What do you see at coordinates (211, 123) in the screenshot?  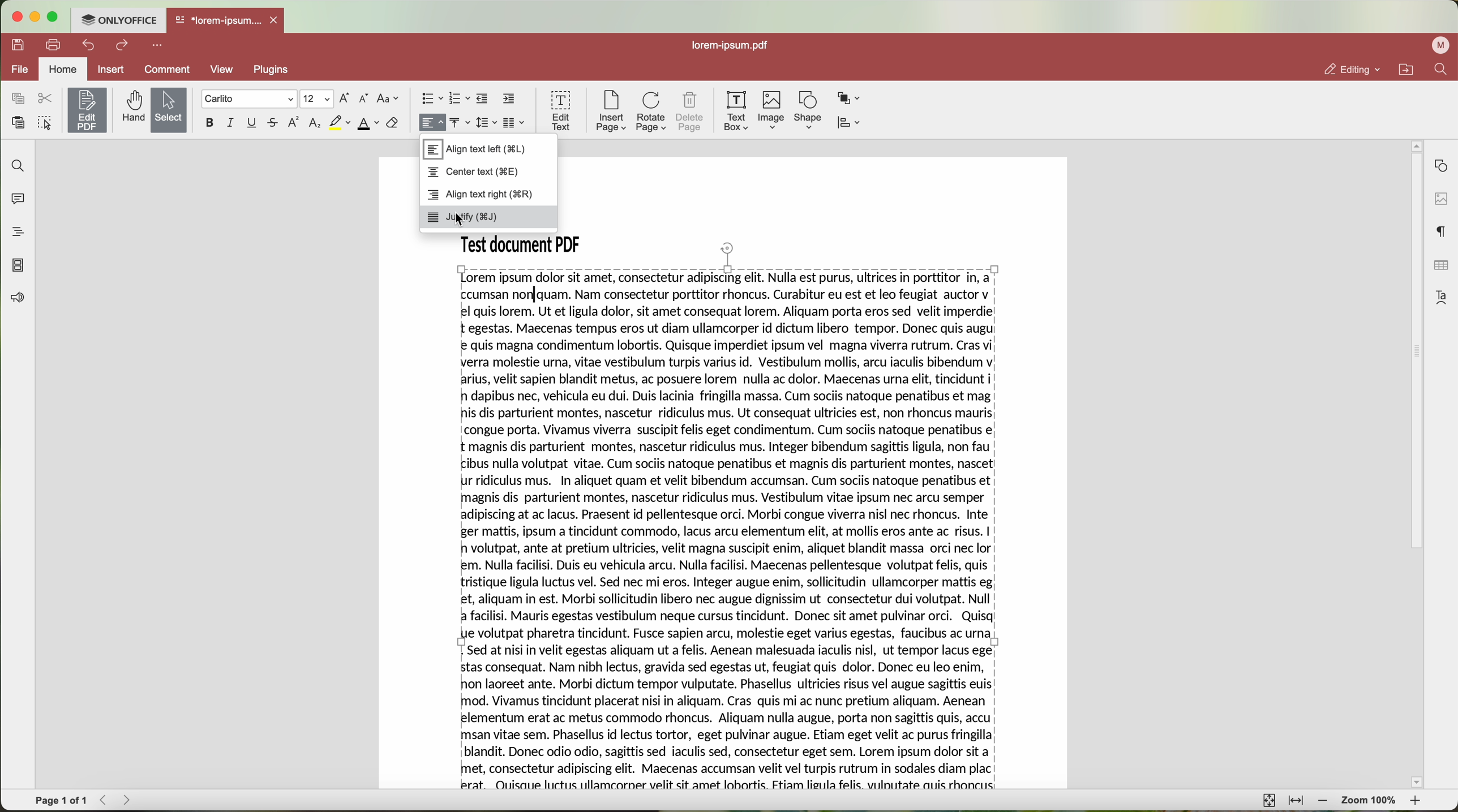 I see `bold` at bounding box center [211, 123].